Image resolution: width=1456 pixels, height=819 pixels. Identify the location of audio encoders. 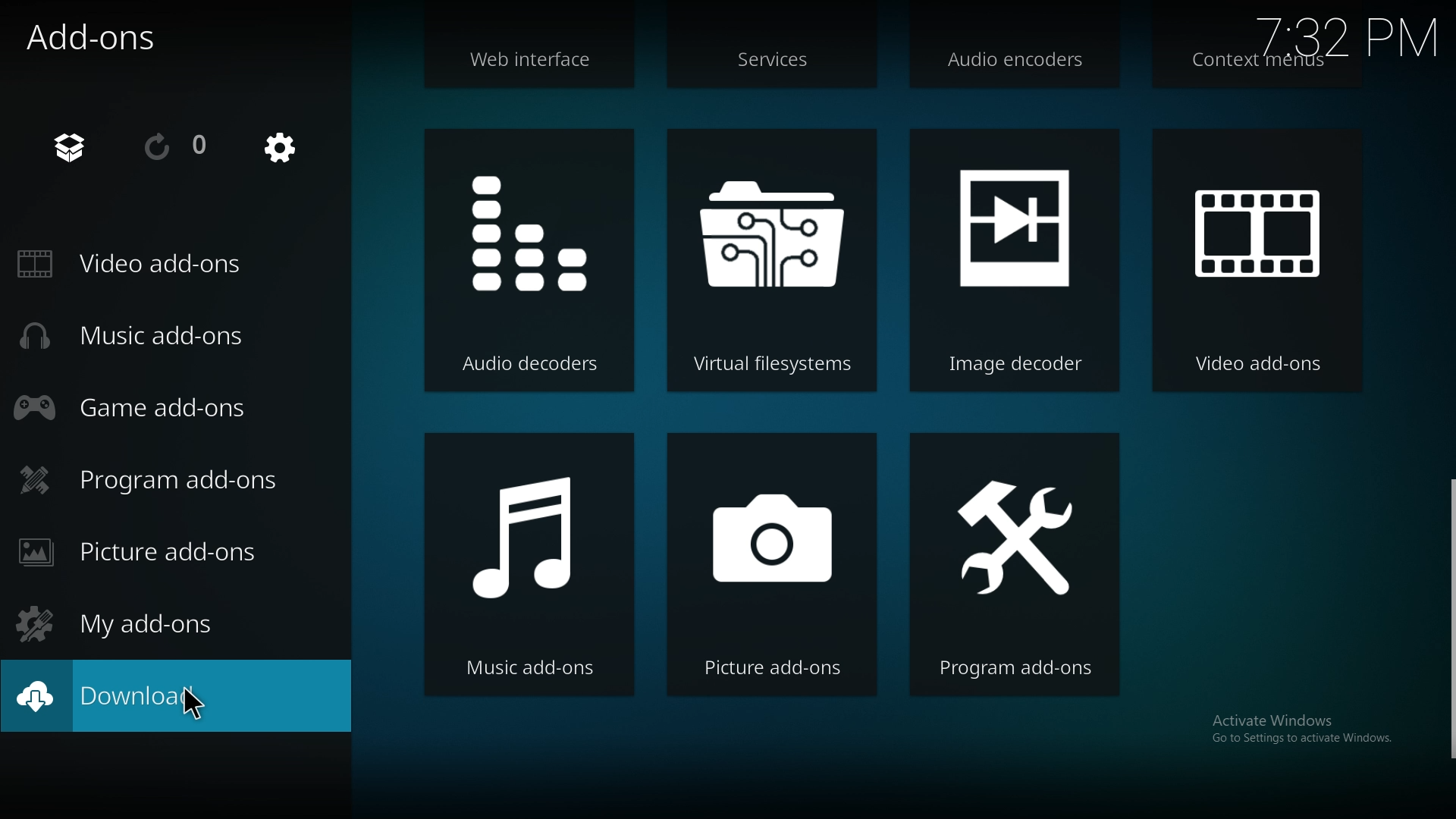
(1015, 65).